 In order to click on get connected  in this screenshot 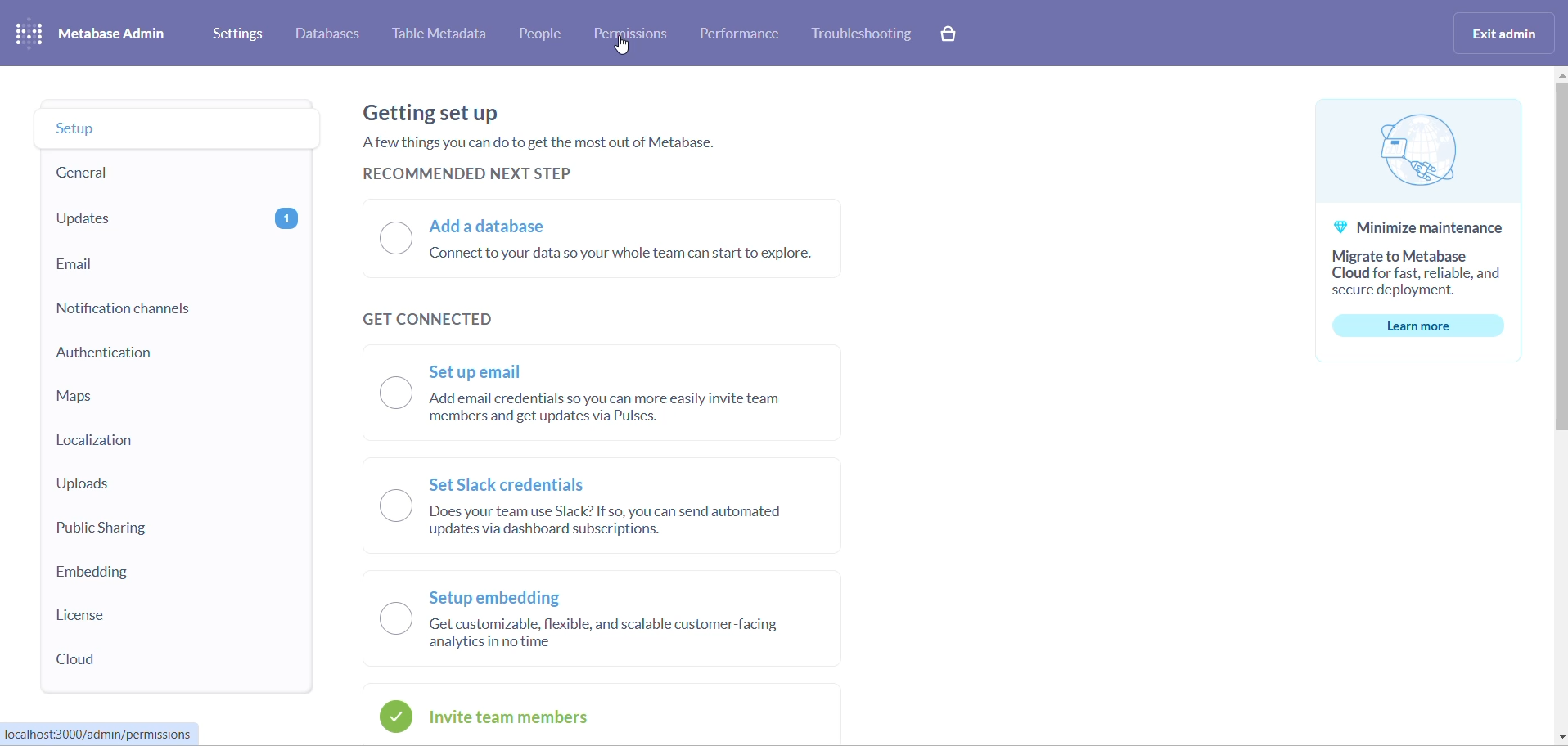, I will do `click(443, 317)`.